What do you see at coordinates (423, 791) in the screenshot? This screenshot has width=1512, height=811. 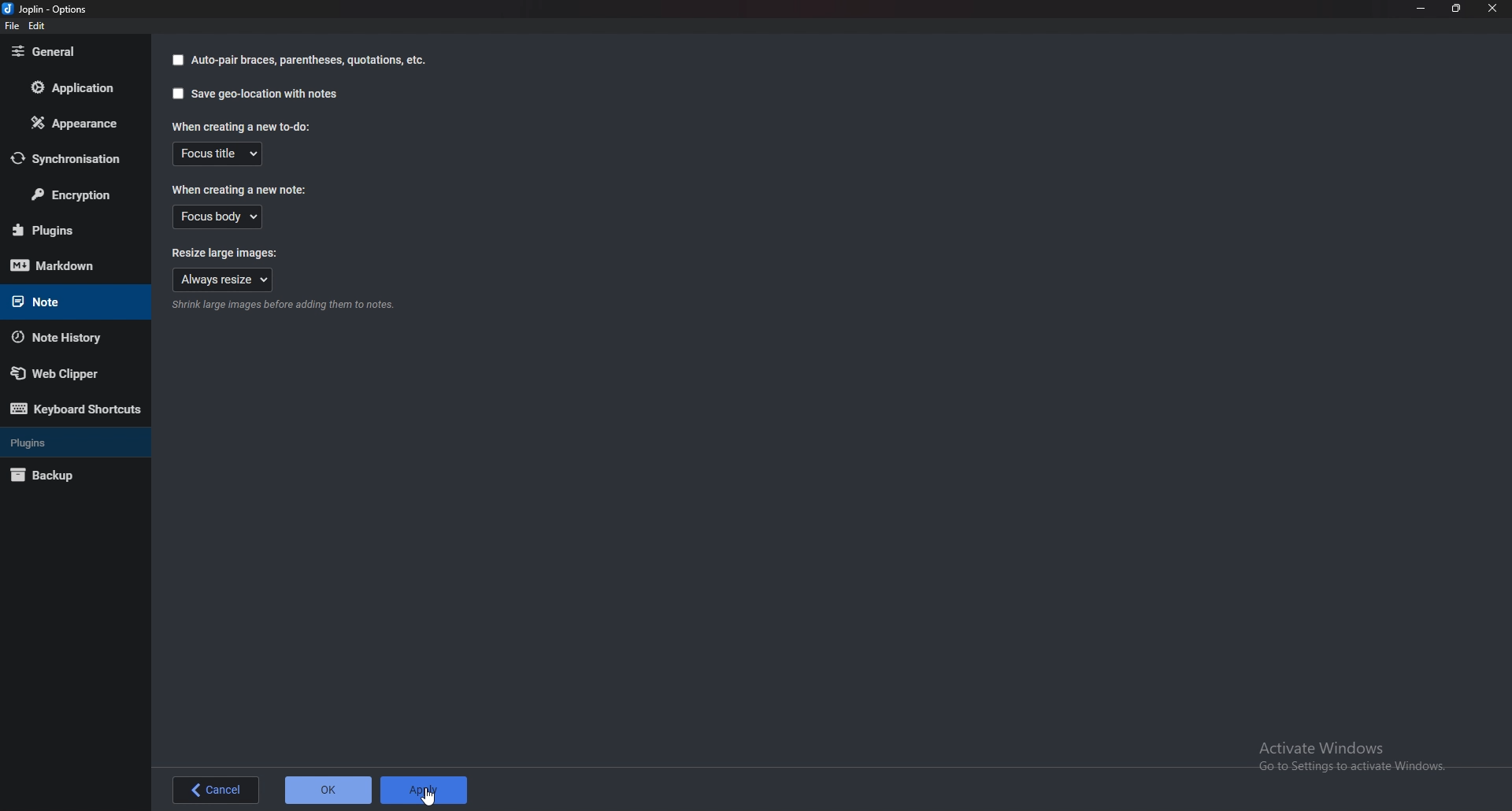 I see `Apply` at bounding box center [423, 791].